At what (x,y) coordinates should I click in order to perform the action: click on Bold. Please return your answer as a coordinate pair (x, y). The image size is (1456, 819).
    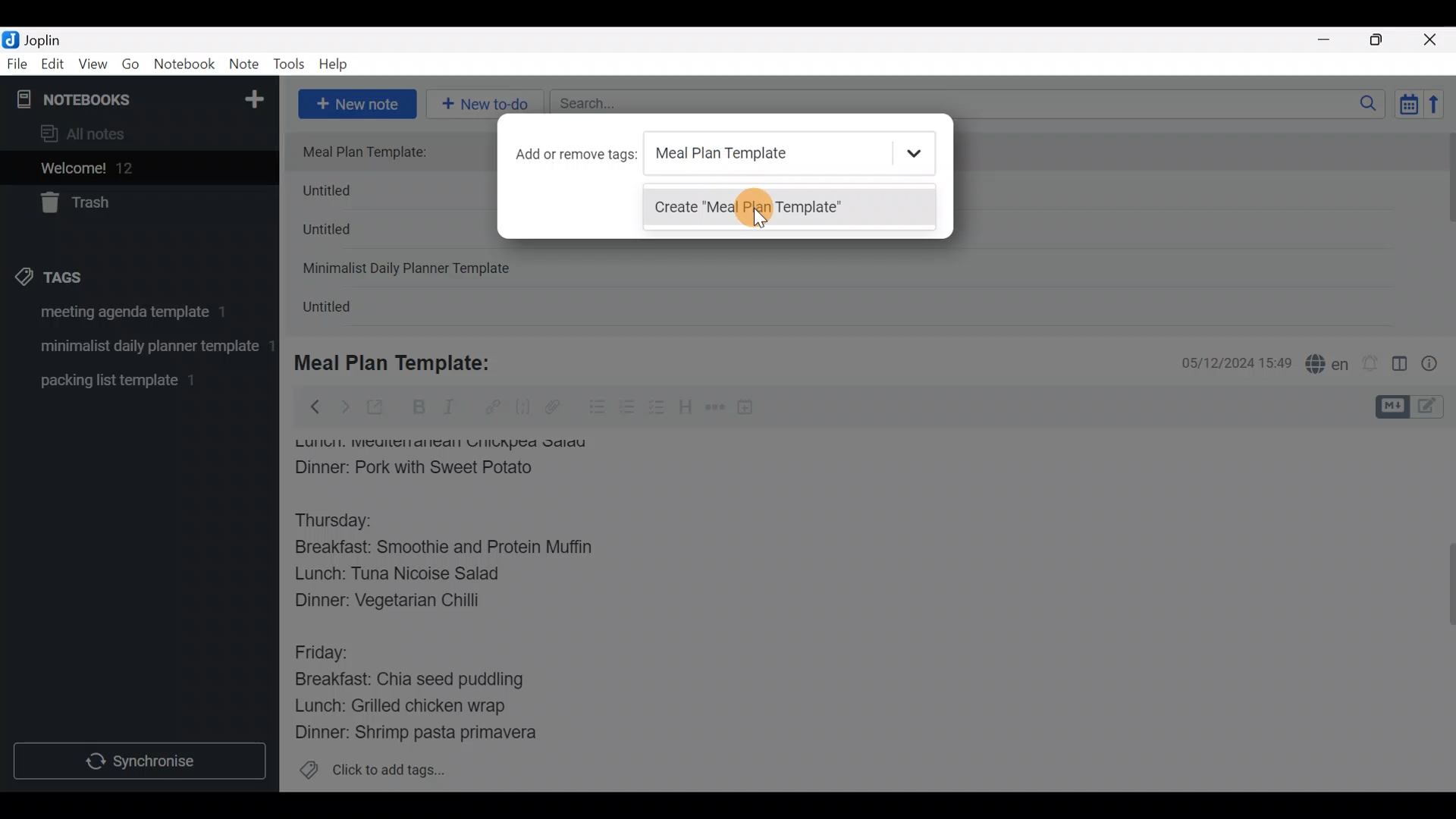
    Looking at the image, I should click on (418, 409).